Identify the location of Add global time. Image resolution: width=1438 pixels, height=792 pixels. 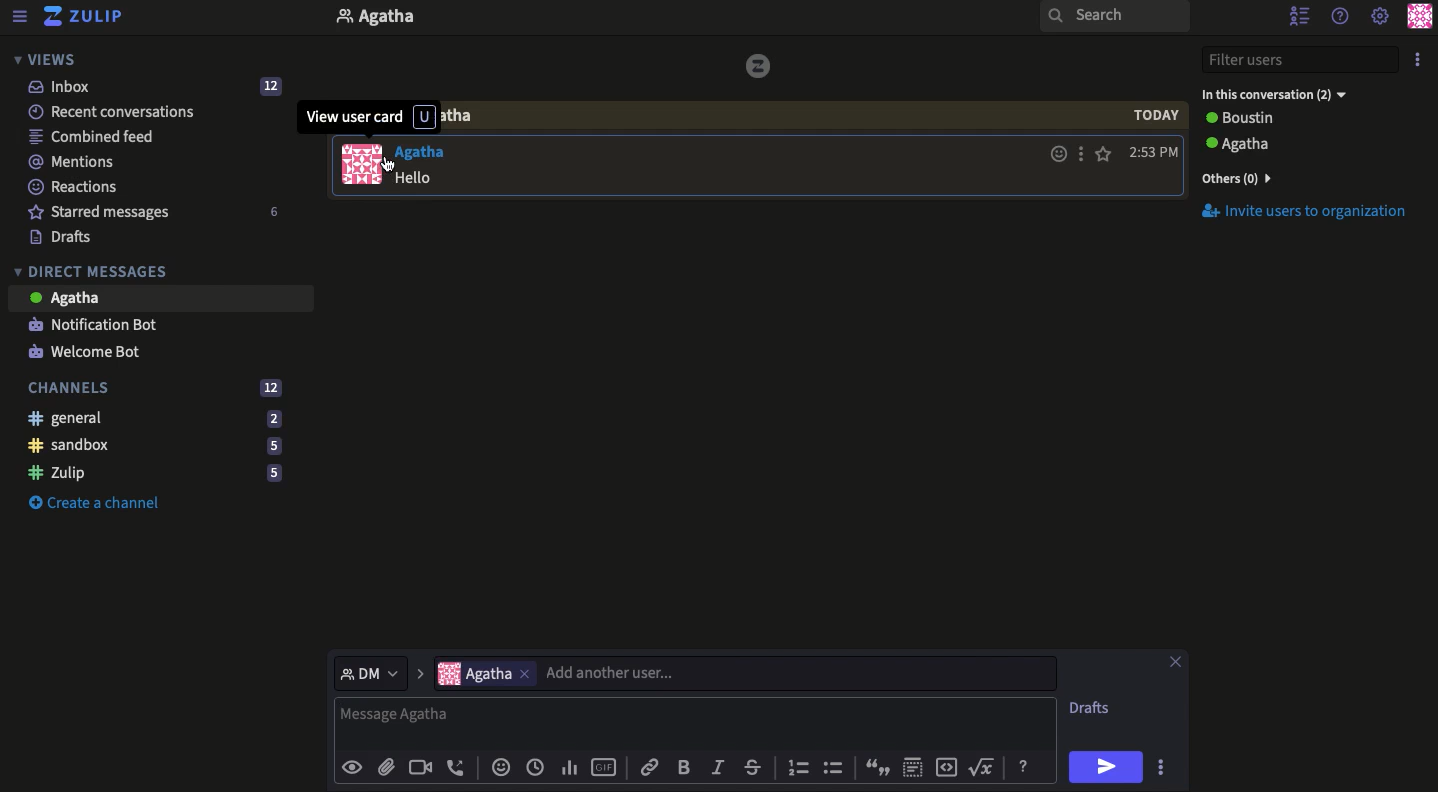
(539, 767).